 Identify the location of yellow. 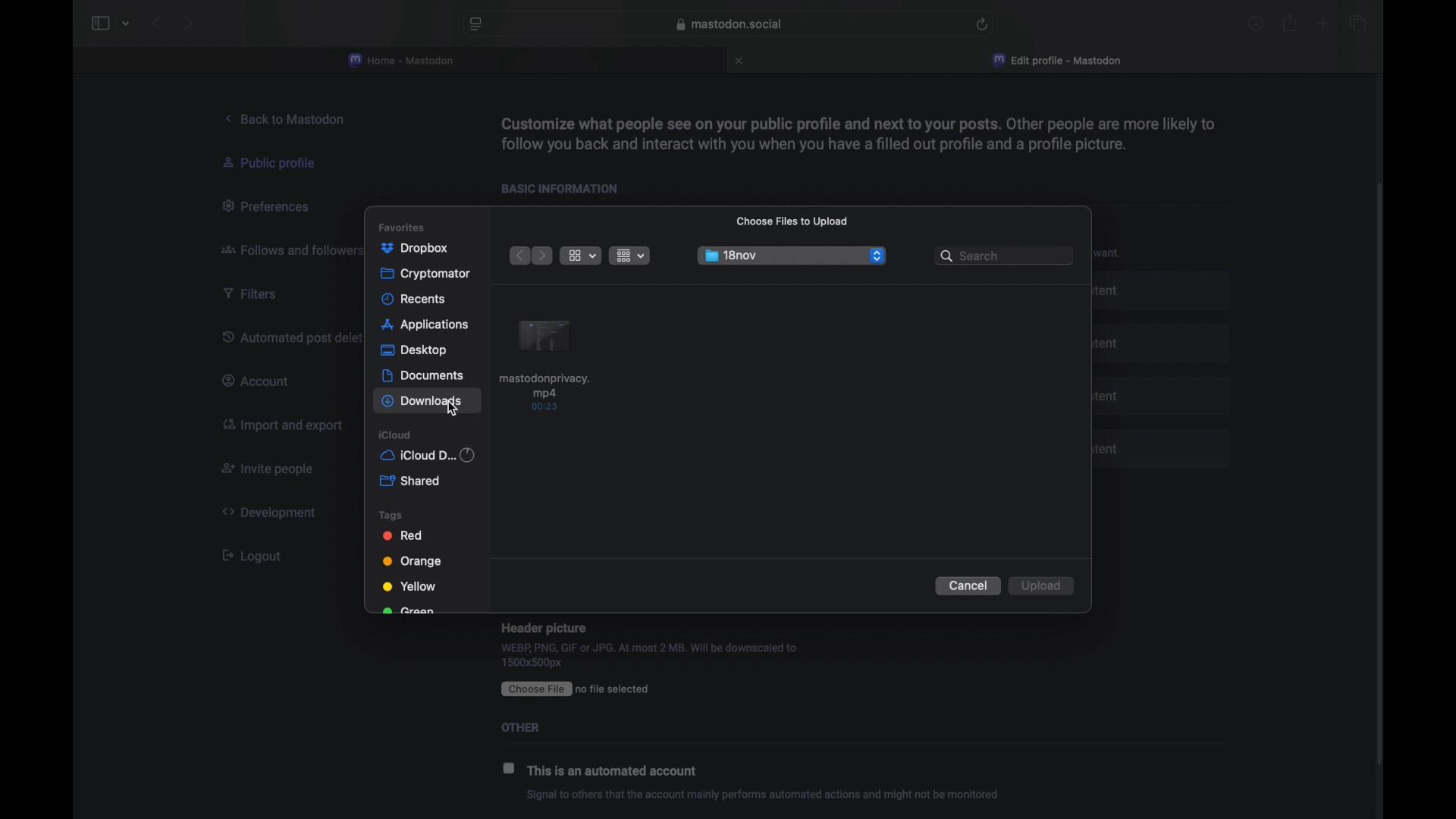
(409, 586).